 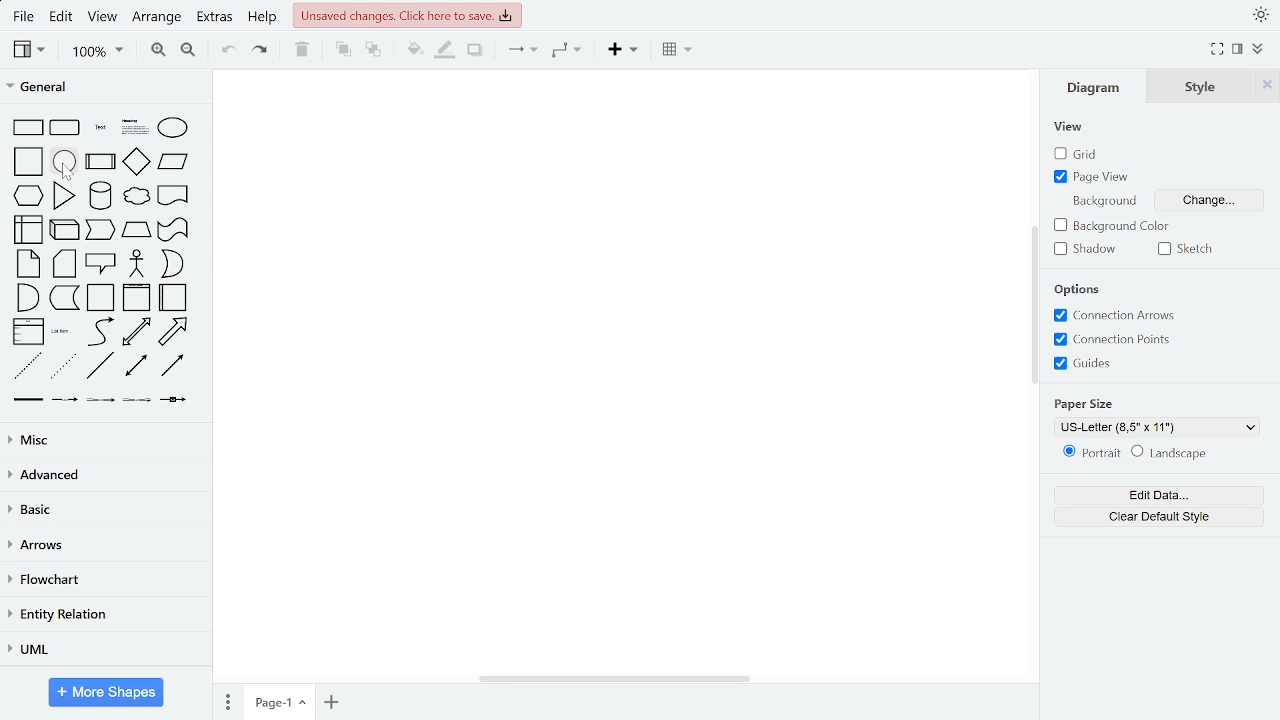 What do you see at coordinates (29, 366) in the screenshot?
I see `dashed line` at bounding box center [29, 366].